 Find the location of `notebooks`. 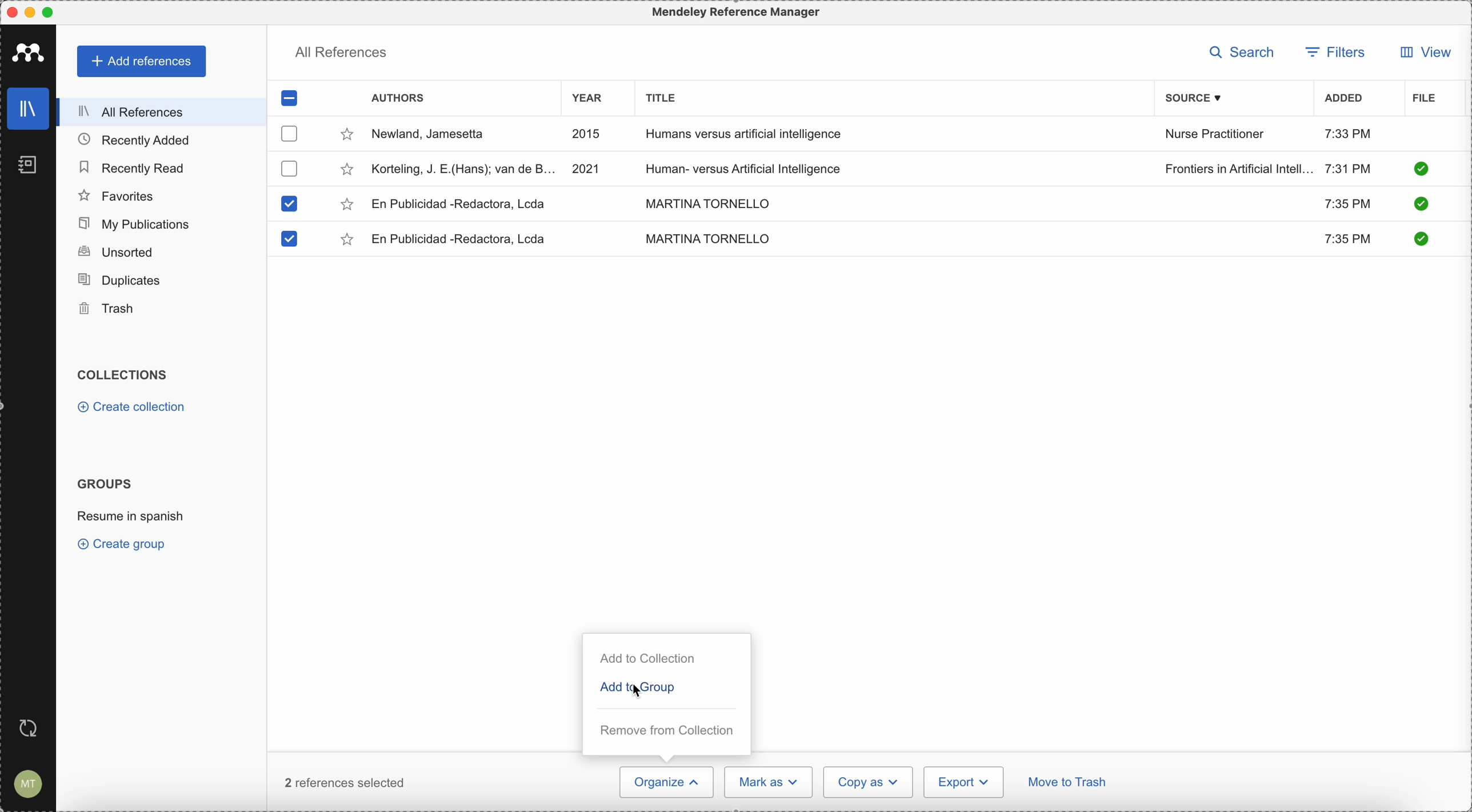

notebooks is located at coordinates (30, 168).